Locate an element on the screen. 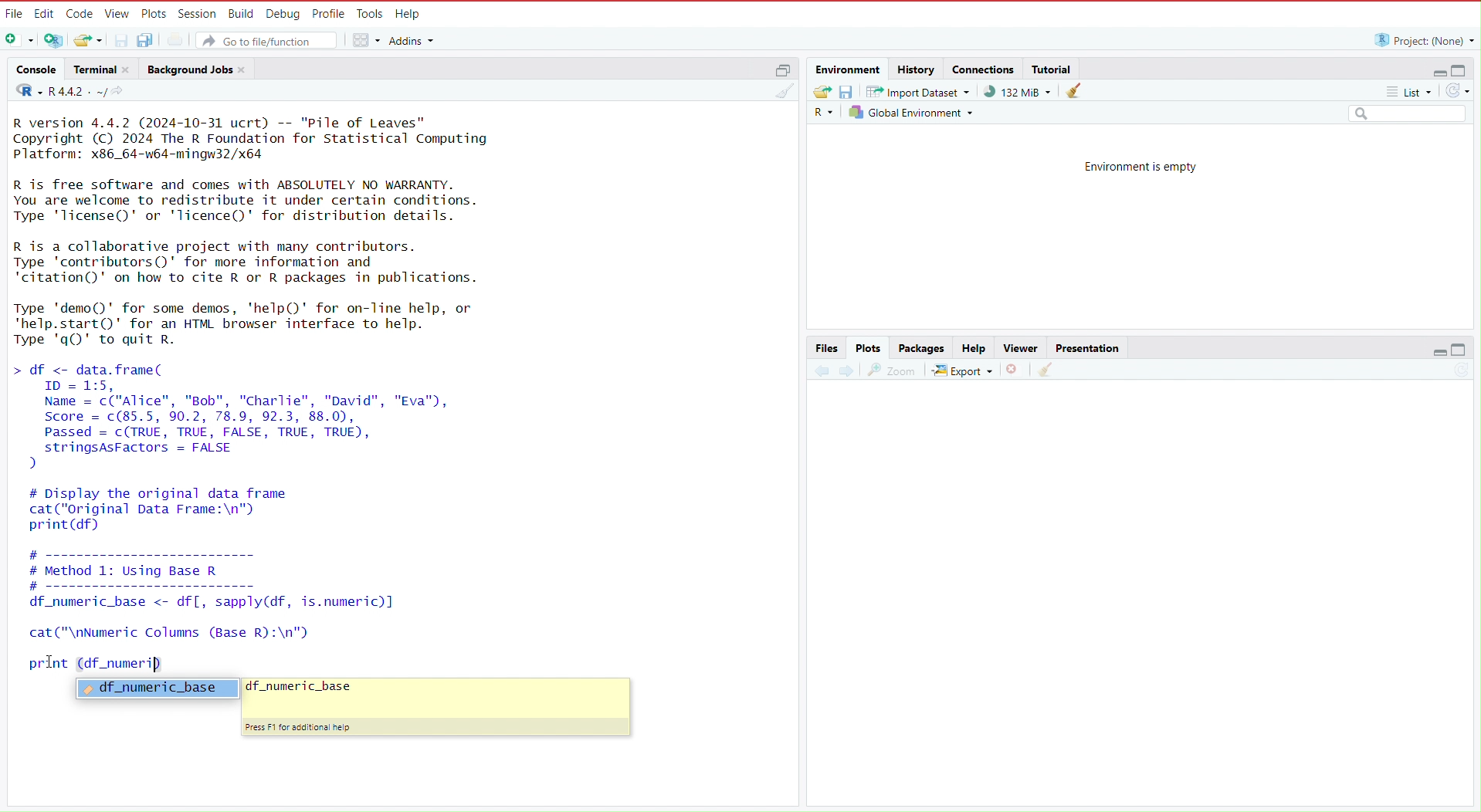 Image resolution: width=1481 pixels, height=812 pixels. previous plot is located at coordinates (815, 371).